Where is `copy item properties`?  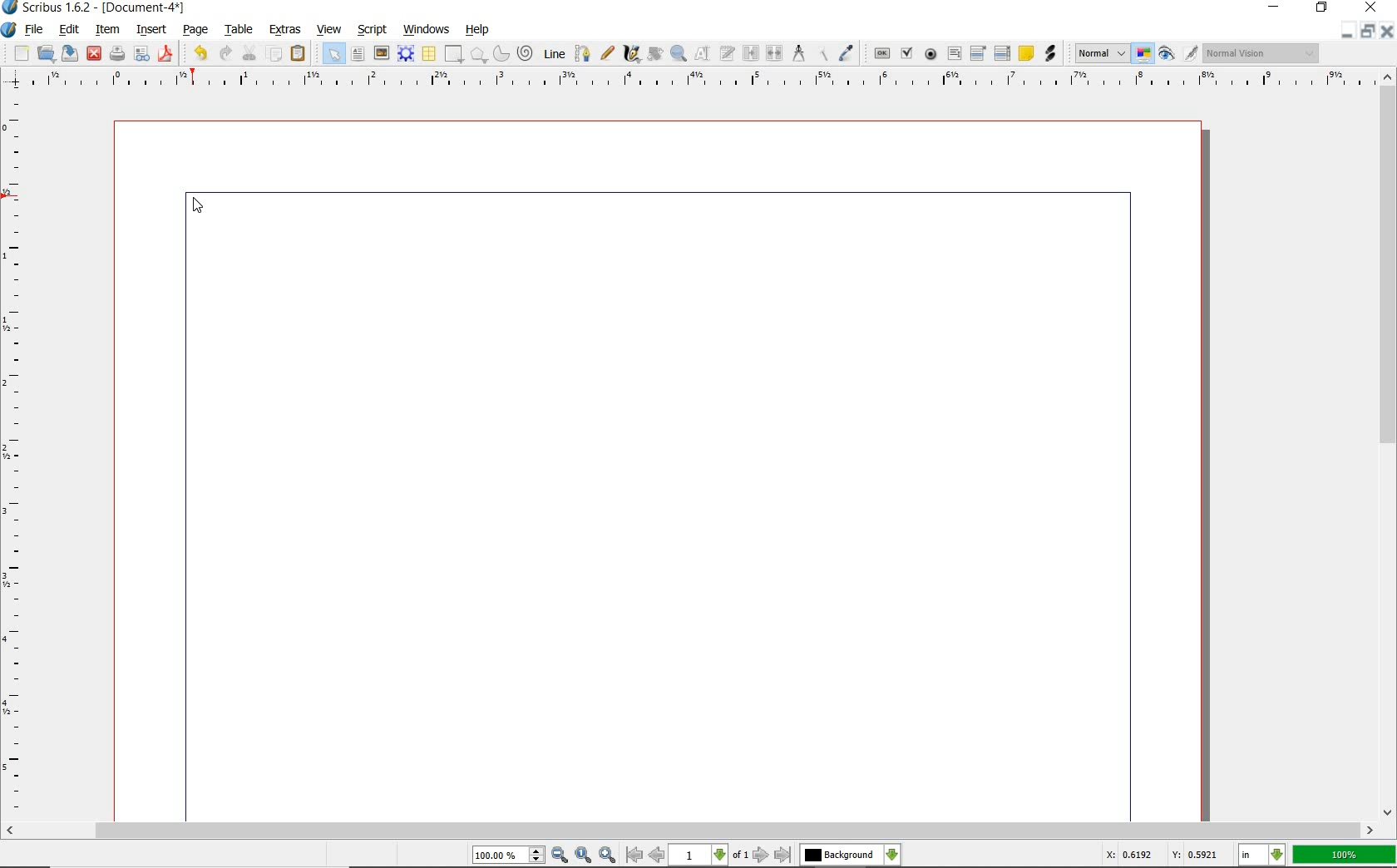 copy item properties is located at coordinates (822, 53).